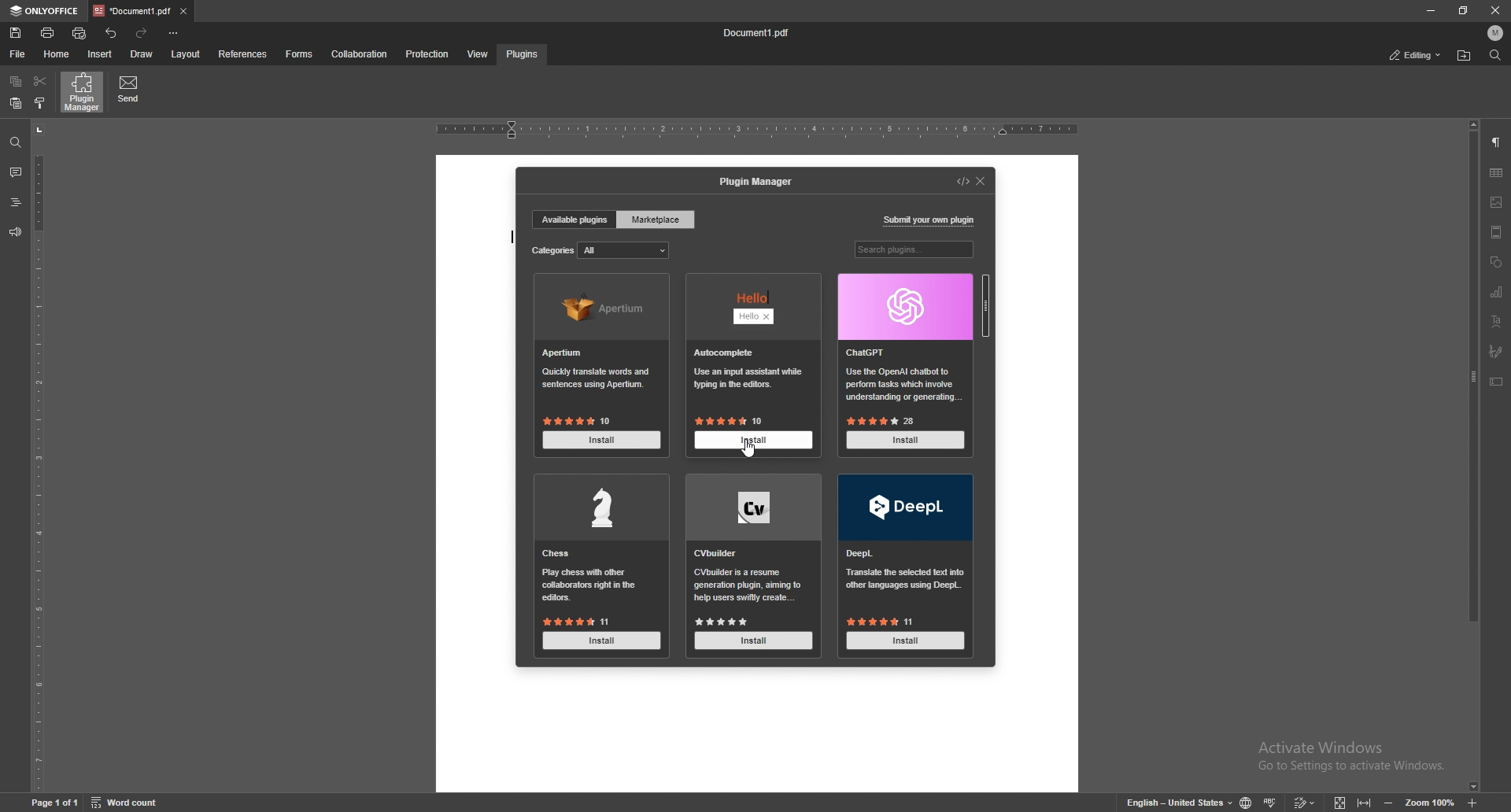 The height and width of the screenshot is (812, 1511). Describe the element at coordinates (755, 551) in the screenshot. I see `cv builder` at that location.